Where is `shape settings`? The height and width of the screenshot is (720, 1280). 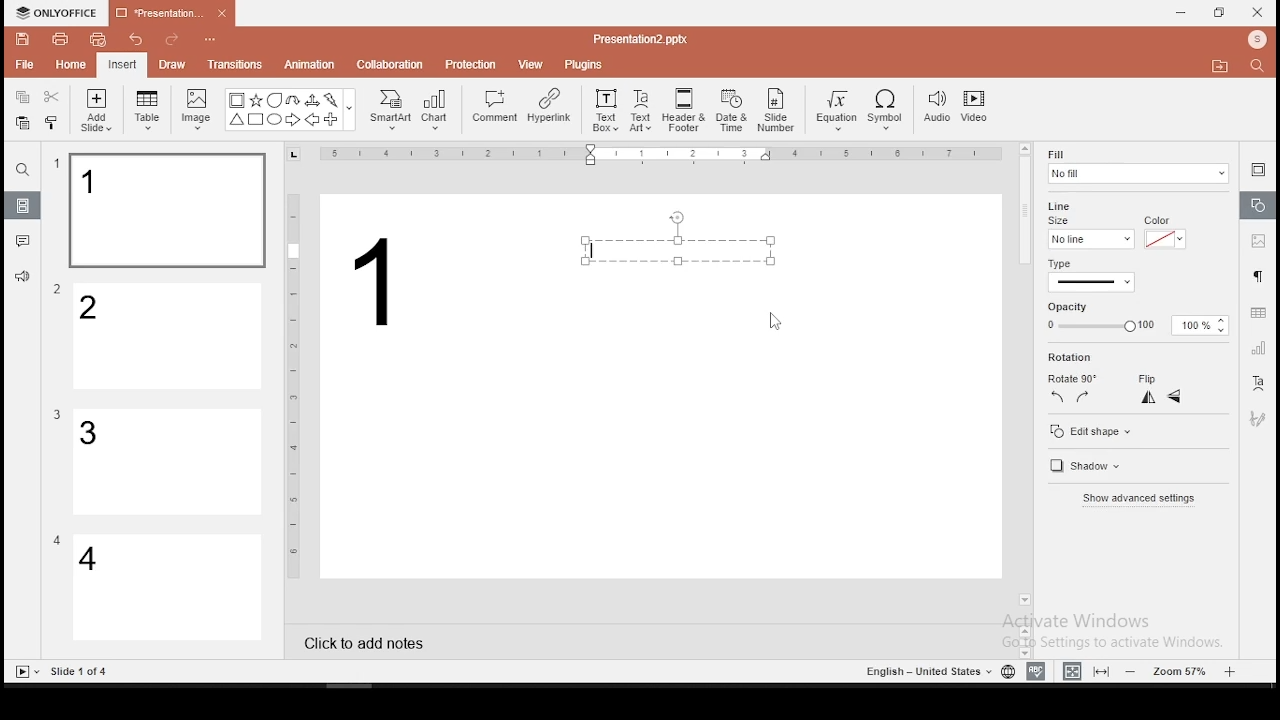 shape settings is located at coordinates (1259, 203).